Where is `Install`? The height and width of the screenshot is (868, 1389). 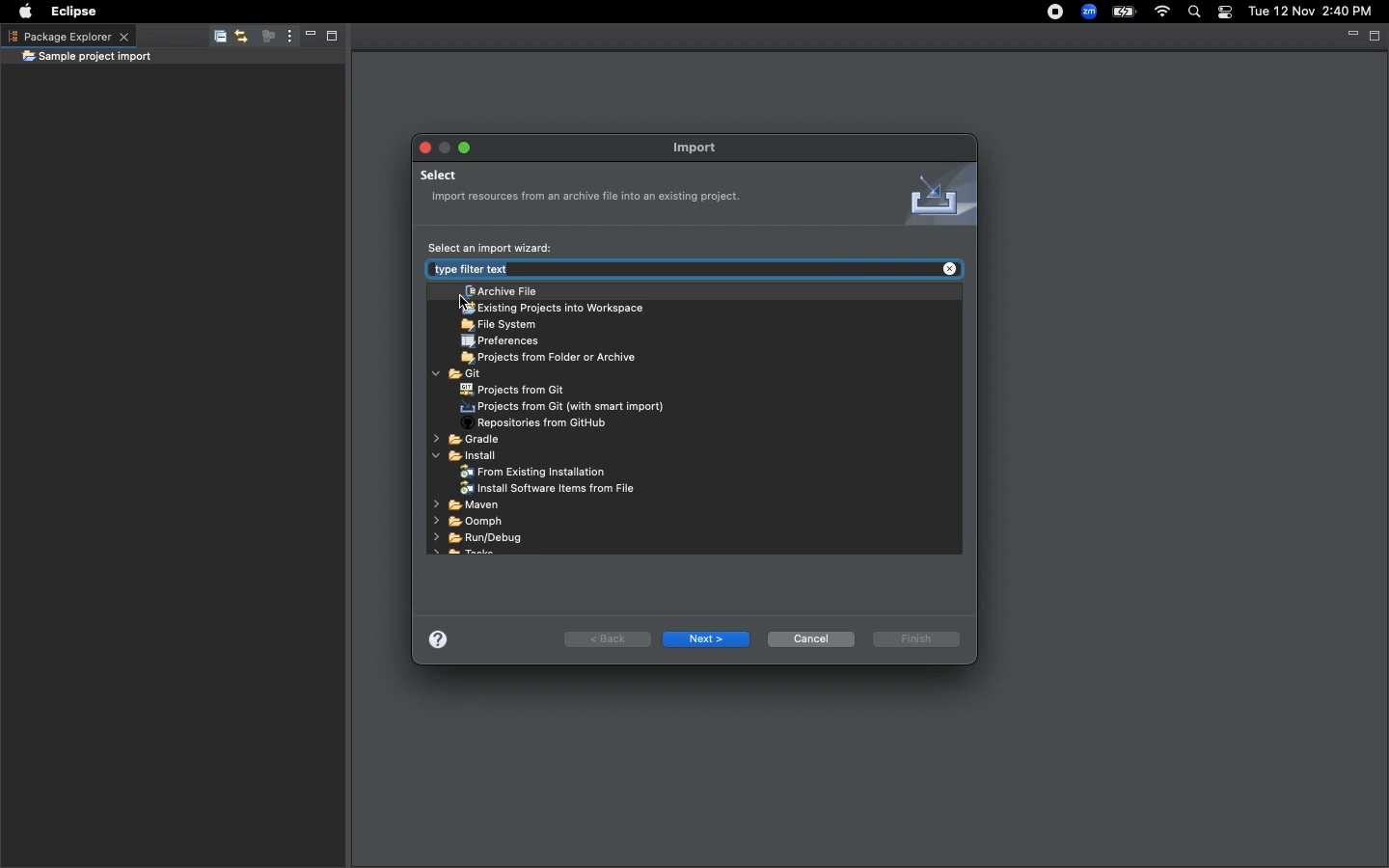 Install is located at coordinates (470, 457).